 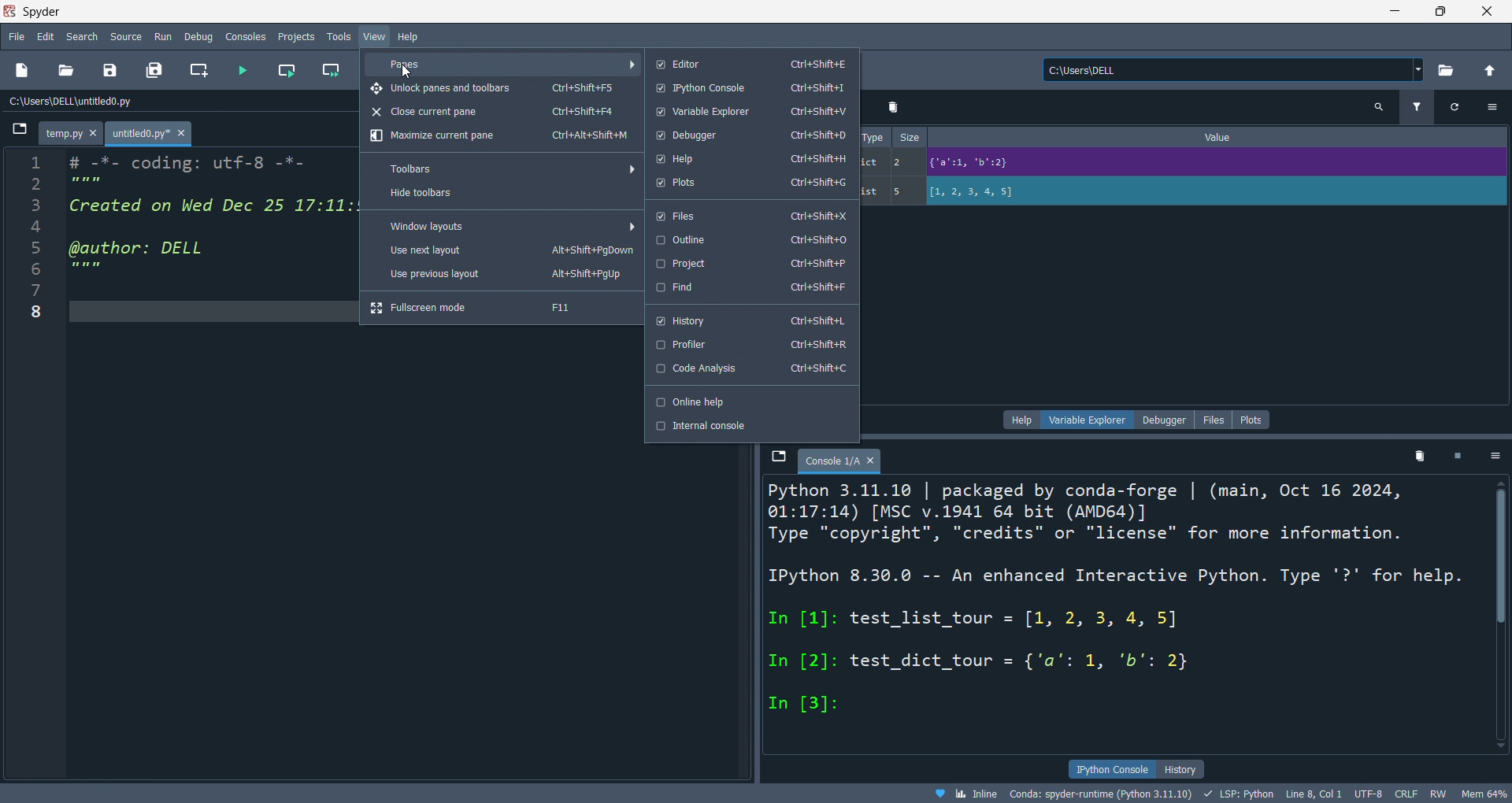 I want to click on size, so click(x=910, y=138).